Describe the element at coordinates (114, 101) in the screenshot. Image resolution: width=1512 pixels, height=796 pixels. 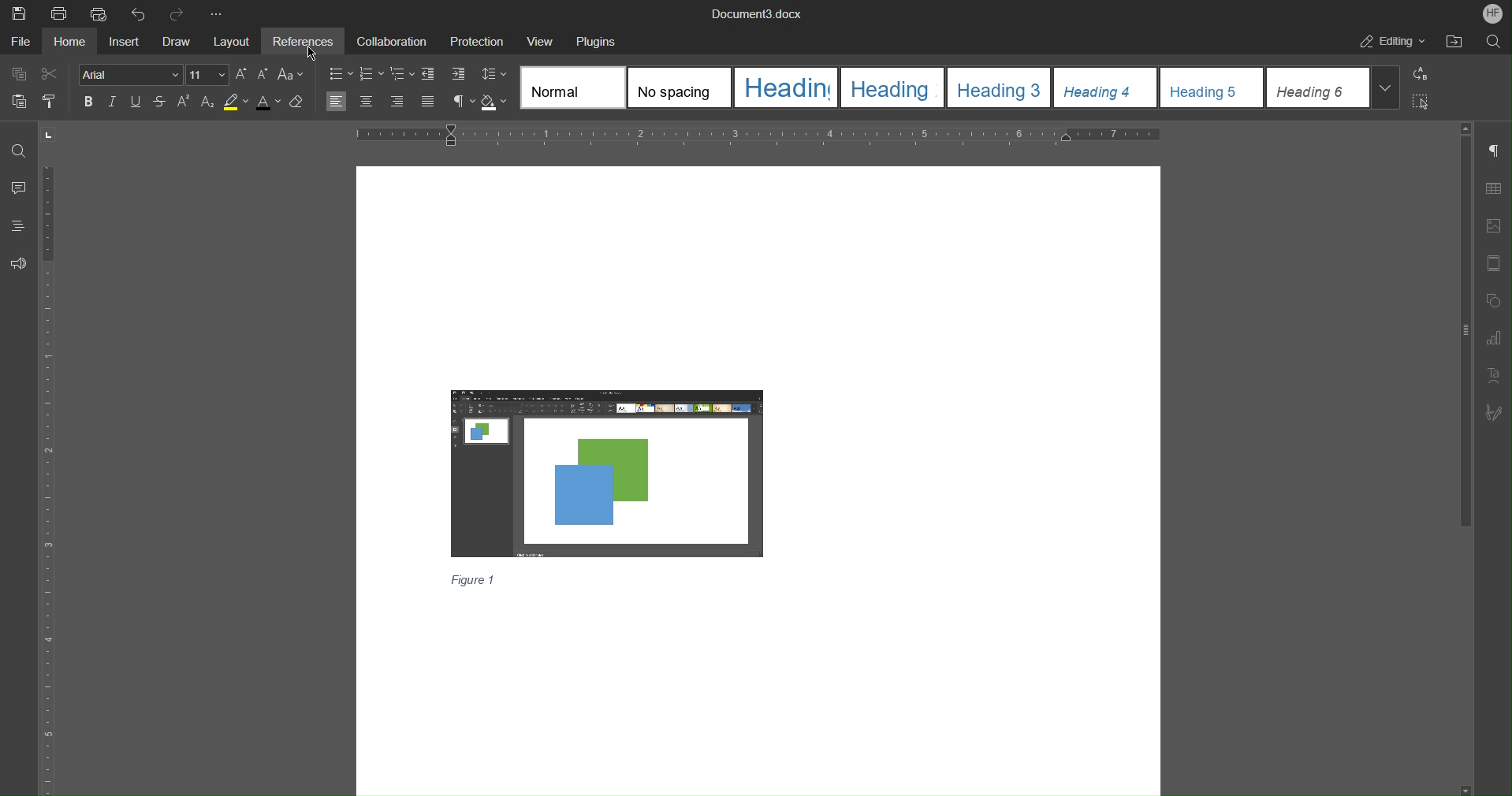
I see `Italics` at that location.